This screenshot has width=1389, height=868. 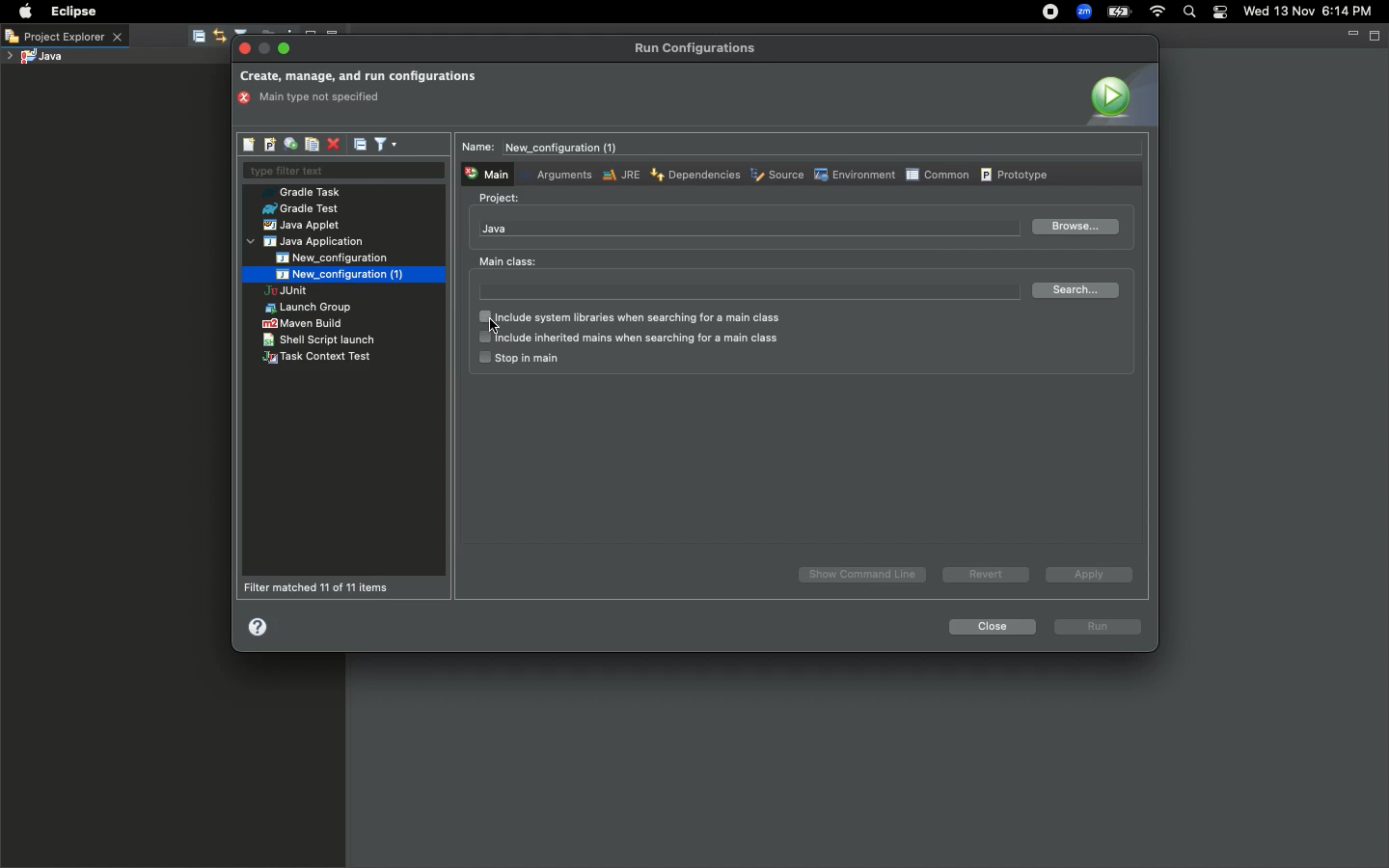 I want to click on Launch group, so click(x=311, y=308).